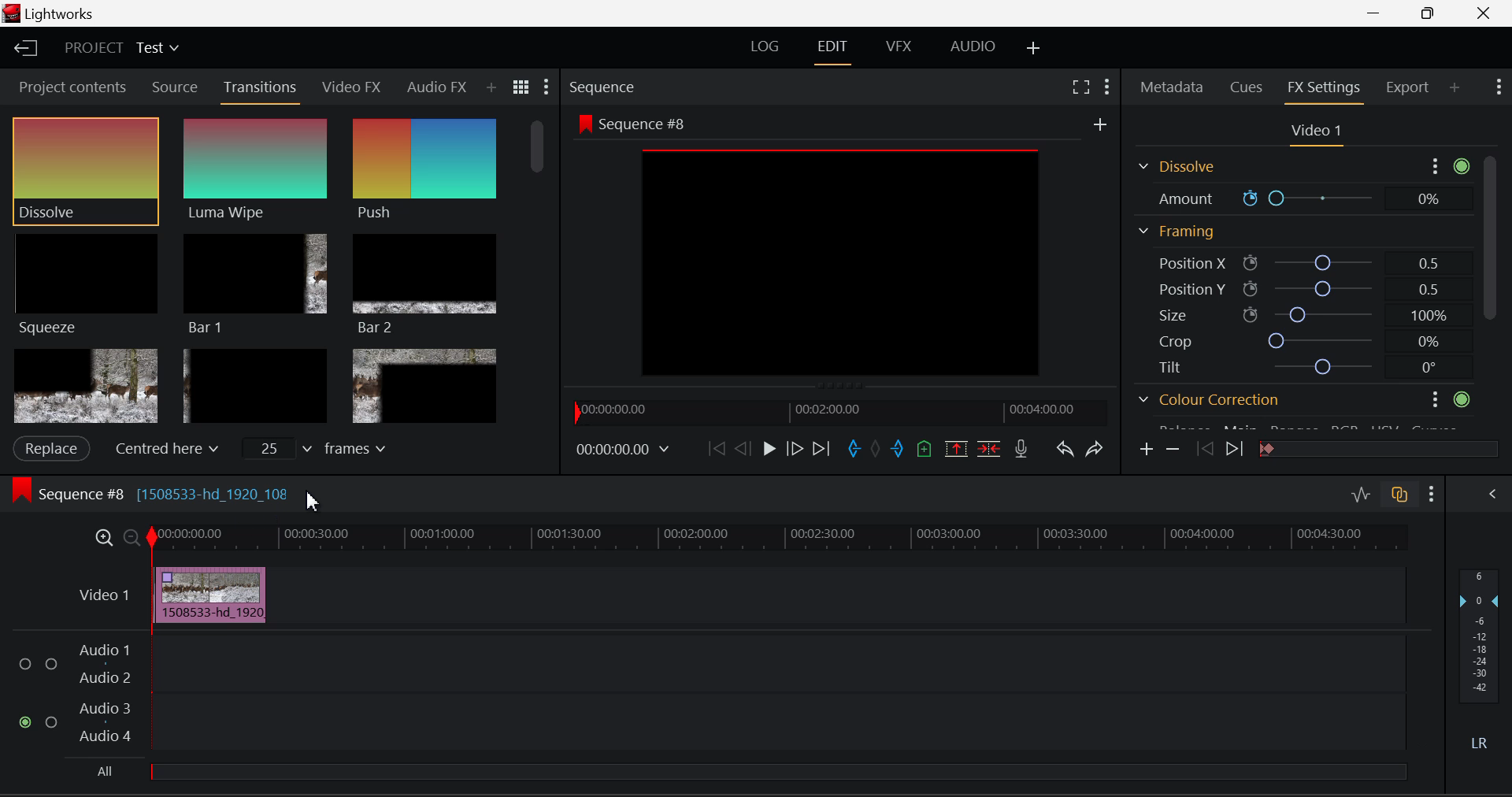 Image resolution: width=1512 pixels, height=797 pixels. Describe the element at coordinates (51, 449) in the screenshot. I see `Apply` at that location.